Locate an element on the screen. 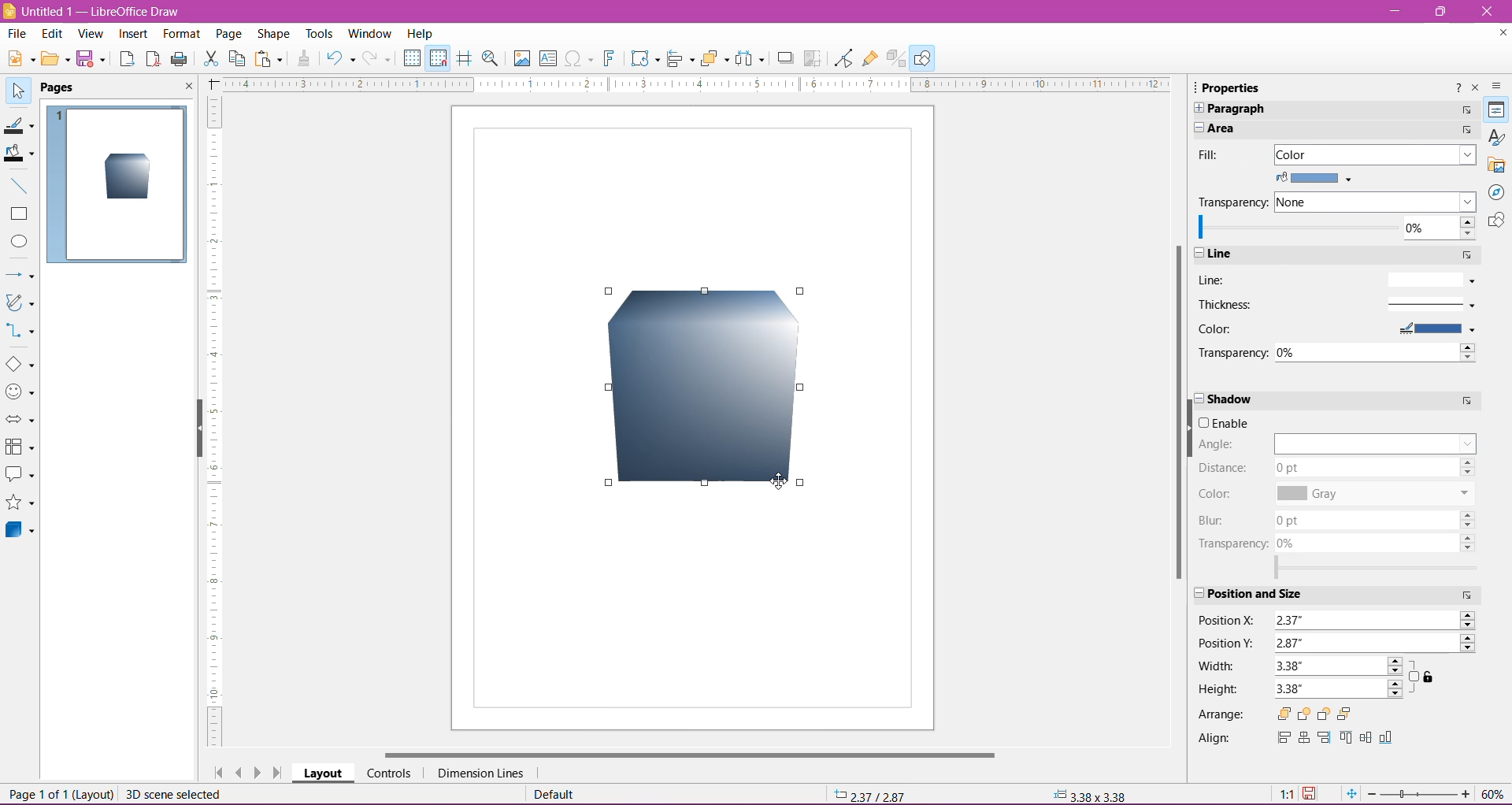 The width and height of the screenshot is (1512, 805). Arrange is located at coordinates (1222, 714).